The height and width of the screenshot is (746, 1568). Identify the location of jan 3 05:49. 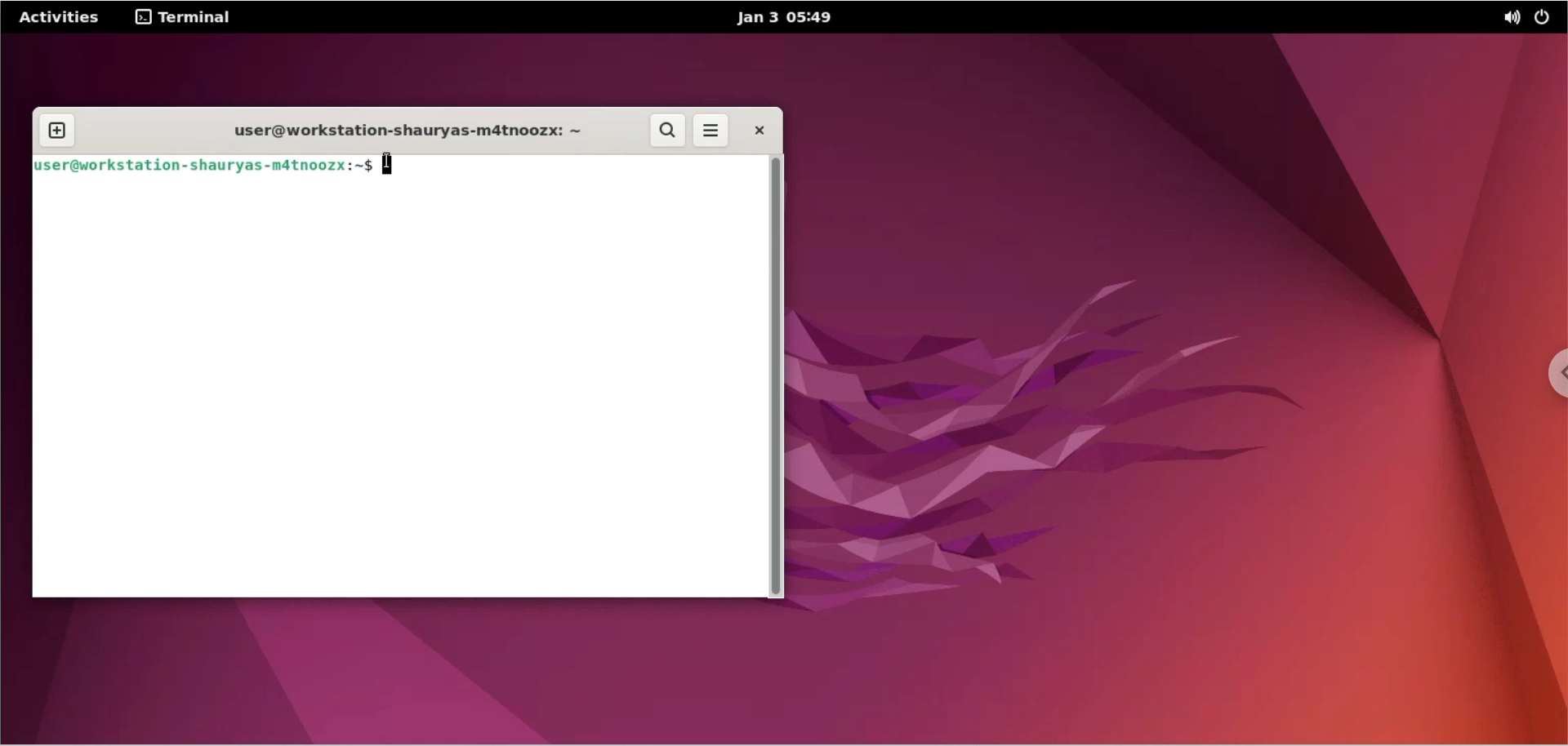
(778, 18).